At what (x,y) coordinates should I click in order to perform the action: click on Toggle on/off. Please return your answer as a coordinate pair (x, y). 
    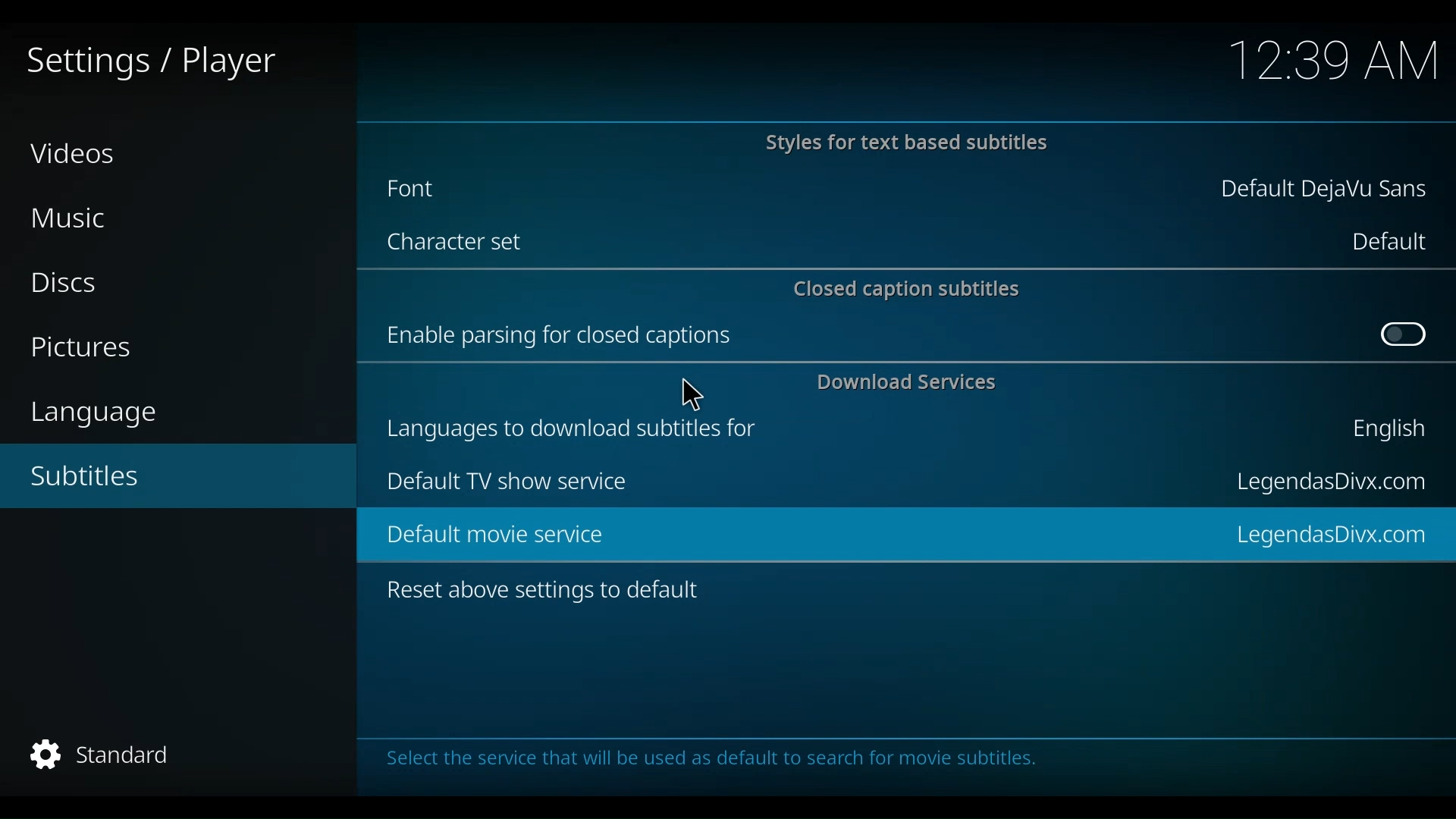
    Looking at the image, I should click on (1404, 335).